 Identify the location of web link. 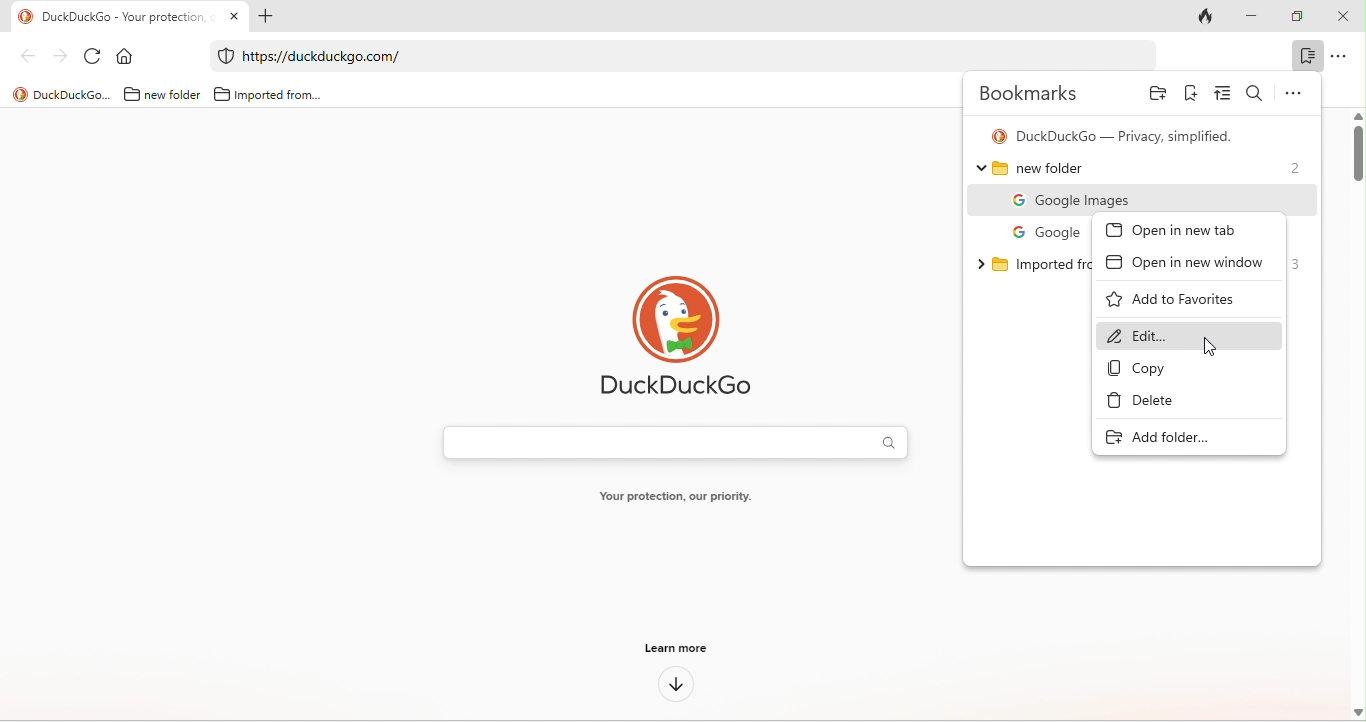
(672, 56).